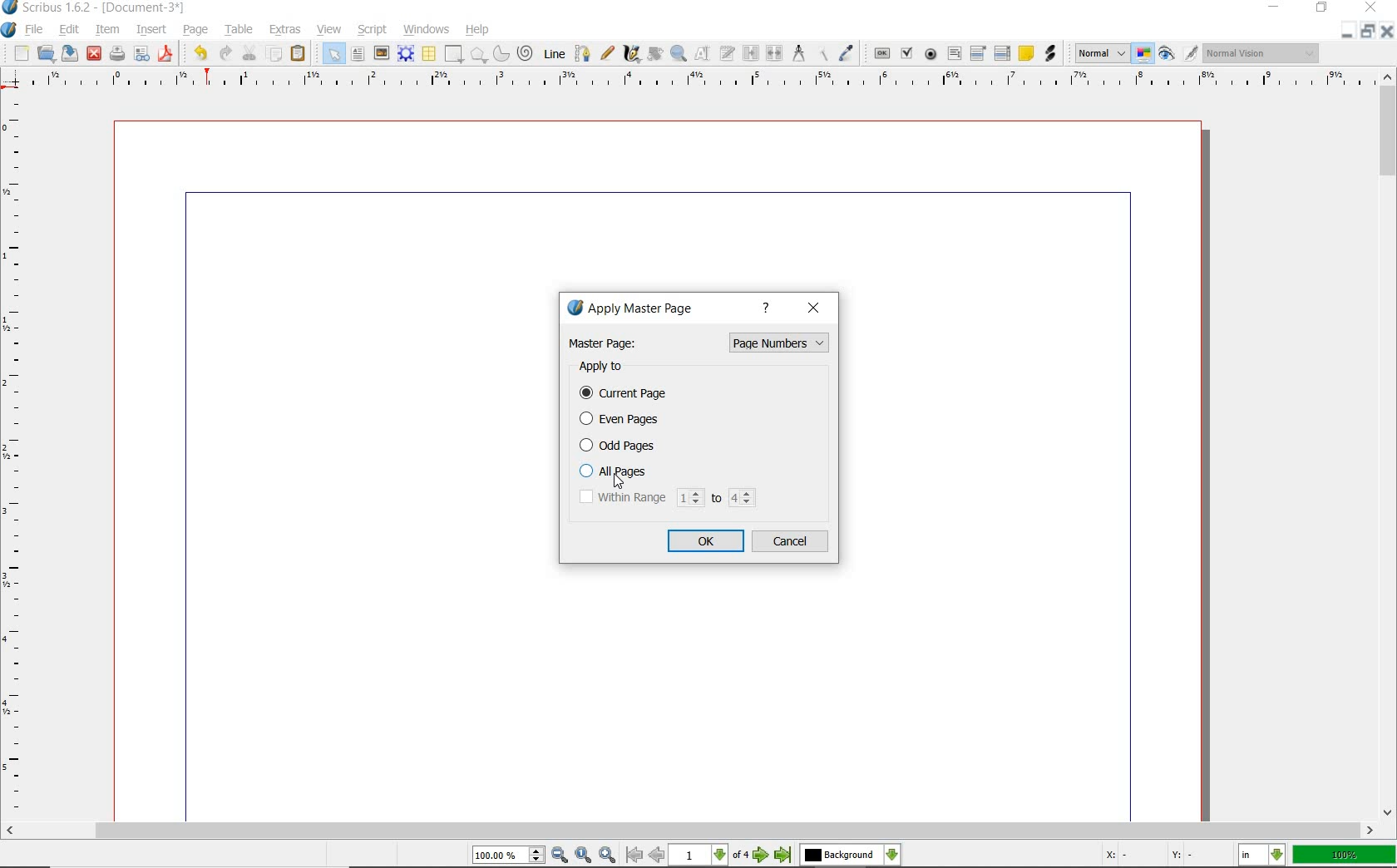 This screenshot has height=868, width=1397. I want to click on page, so click(192, 28).